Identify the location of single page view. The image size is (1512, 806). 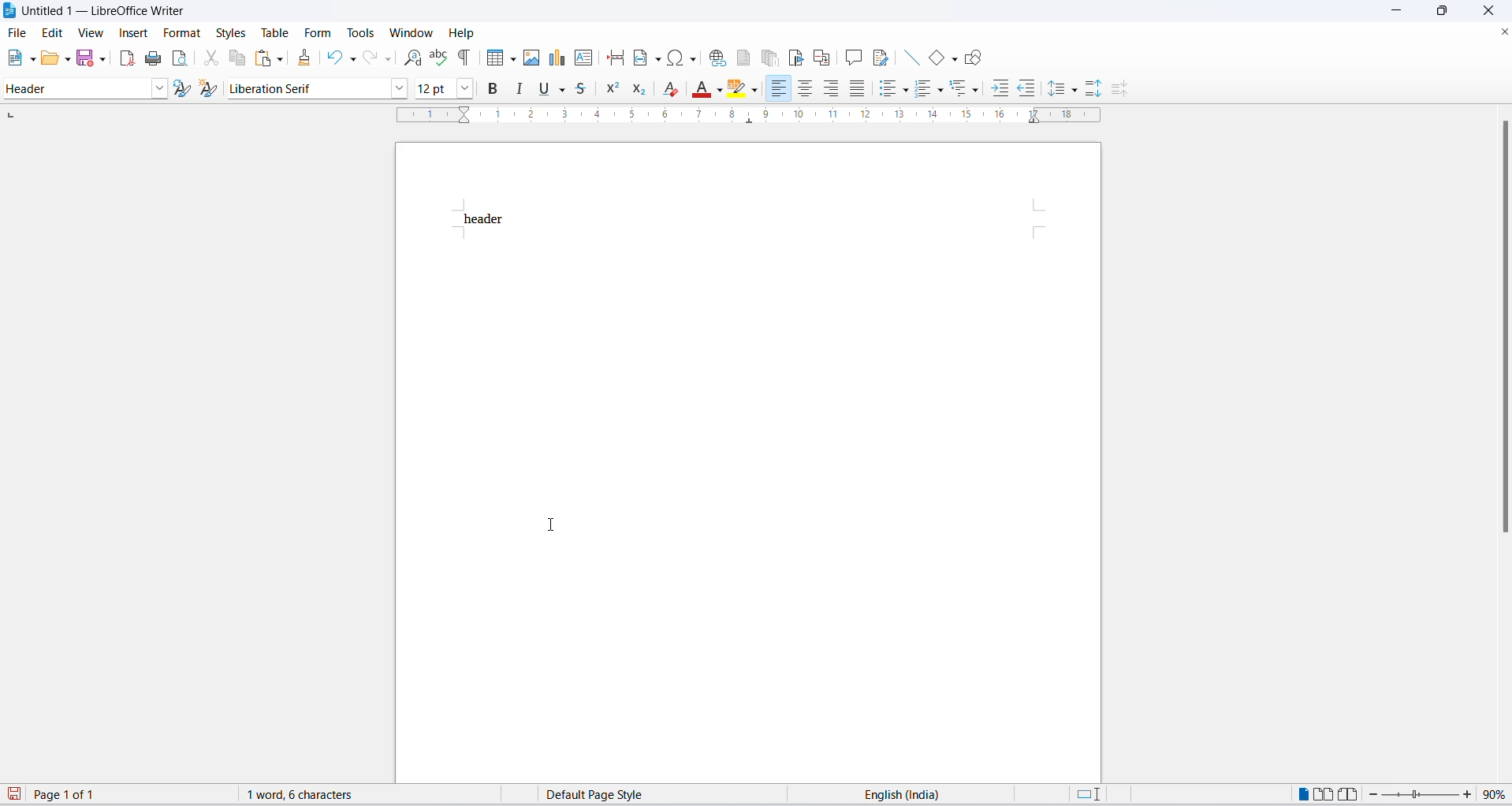
(1301, 794).